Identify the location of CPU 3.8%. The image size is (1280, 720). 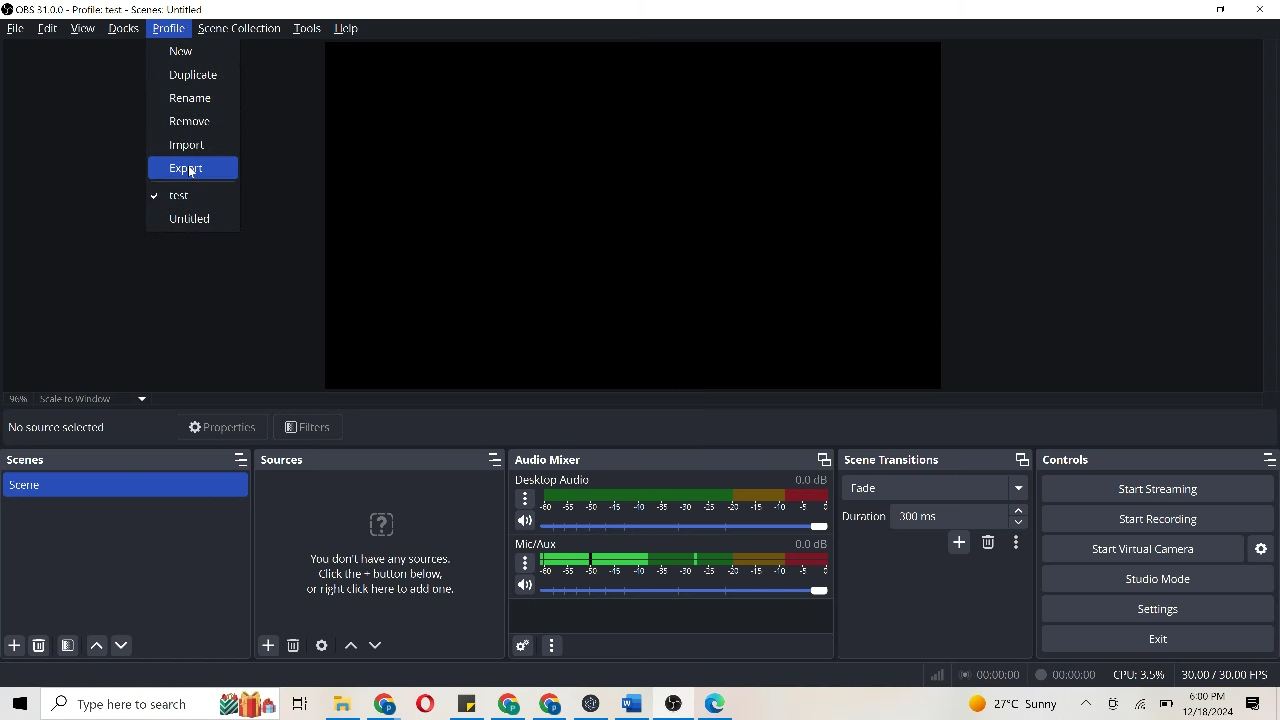
(1142, 675).